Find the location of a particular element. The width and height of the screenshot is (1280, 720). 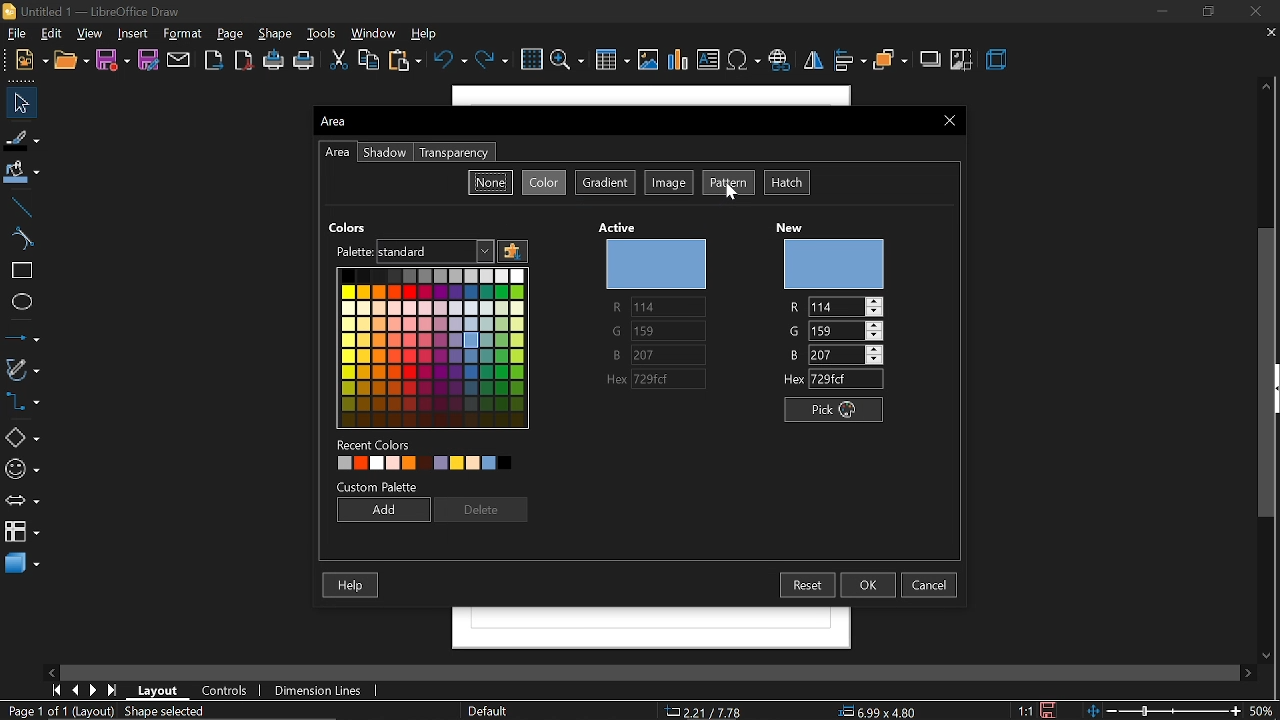

move left is located at coordinates (51, 671).